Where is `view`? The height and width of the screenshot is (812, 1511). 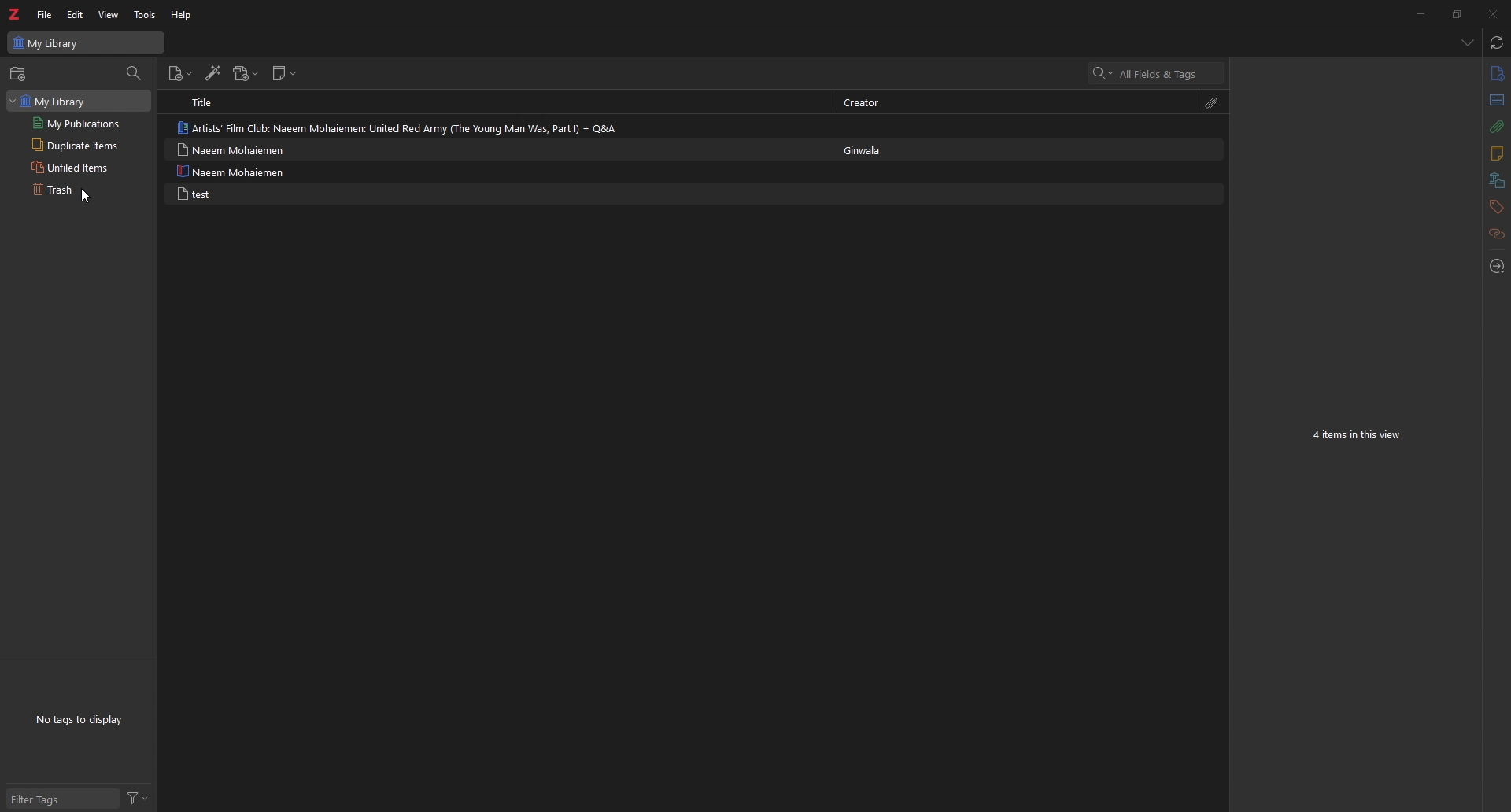 view is located at coordinates (109, 15).